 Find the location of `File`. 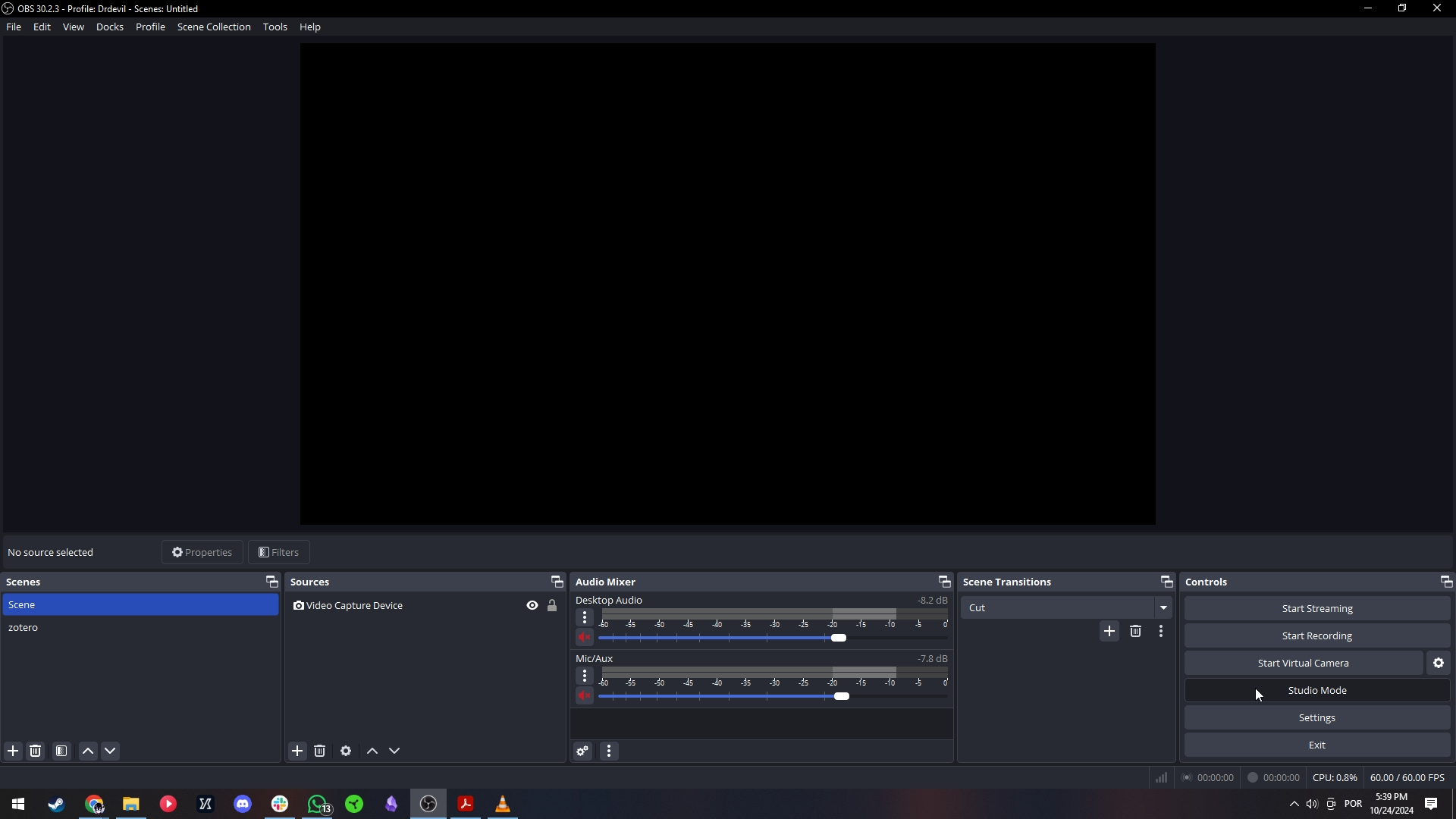

File is located at coordinates (14, 27).